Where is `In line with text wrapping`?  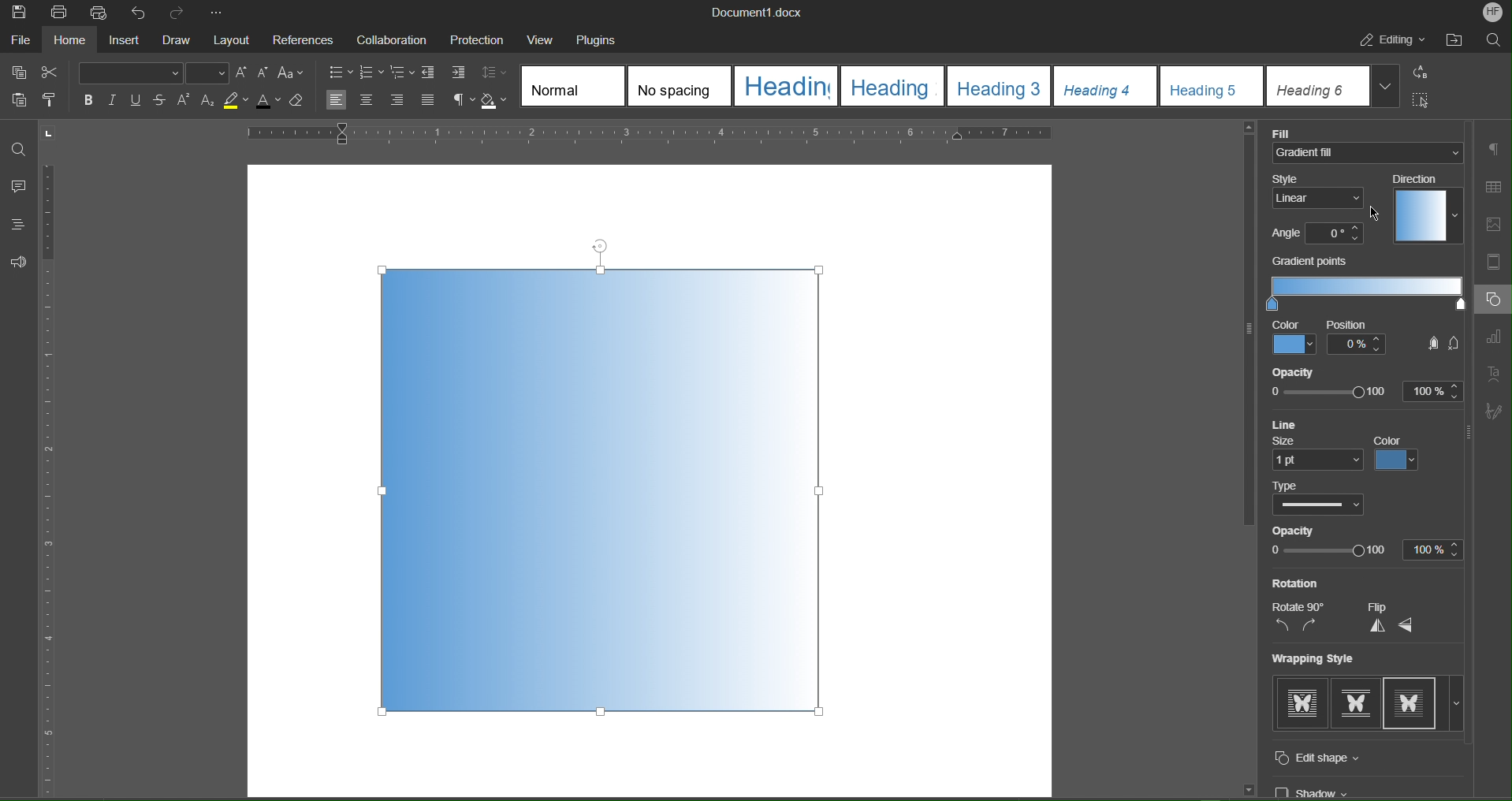 In line with text wrapping is located at coordinates (1299, 702).